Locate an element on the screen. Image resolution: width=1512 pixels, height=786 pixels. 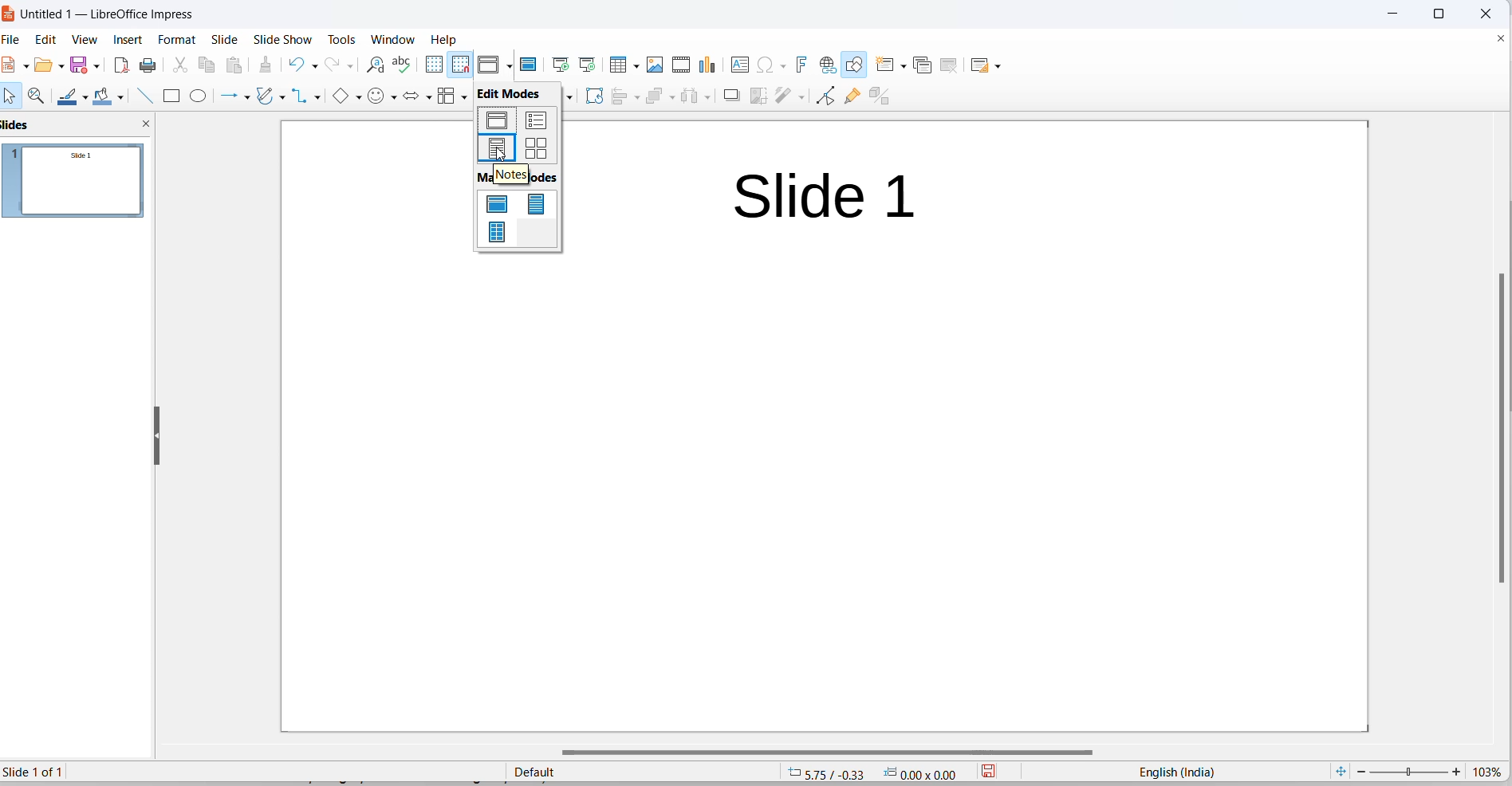
find and replace is located at coordinates (375, 65).